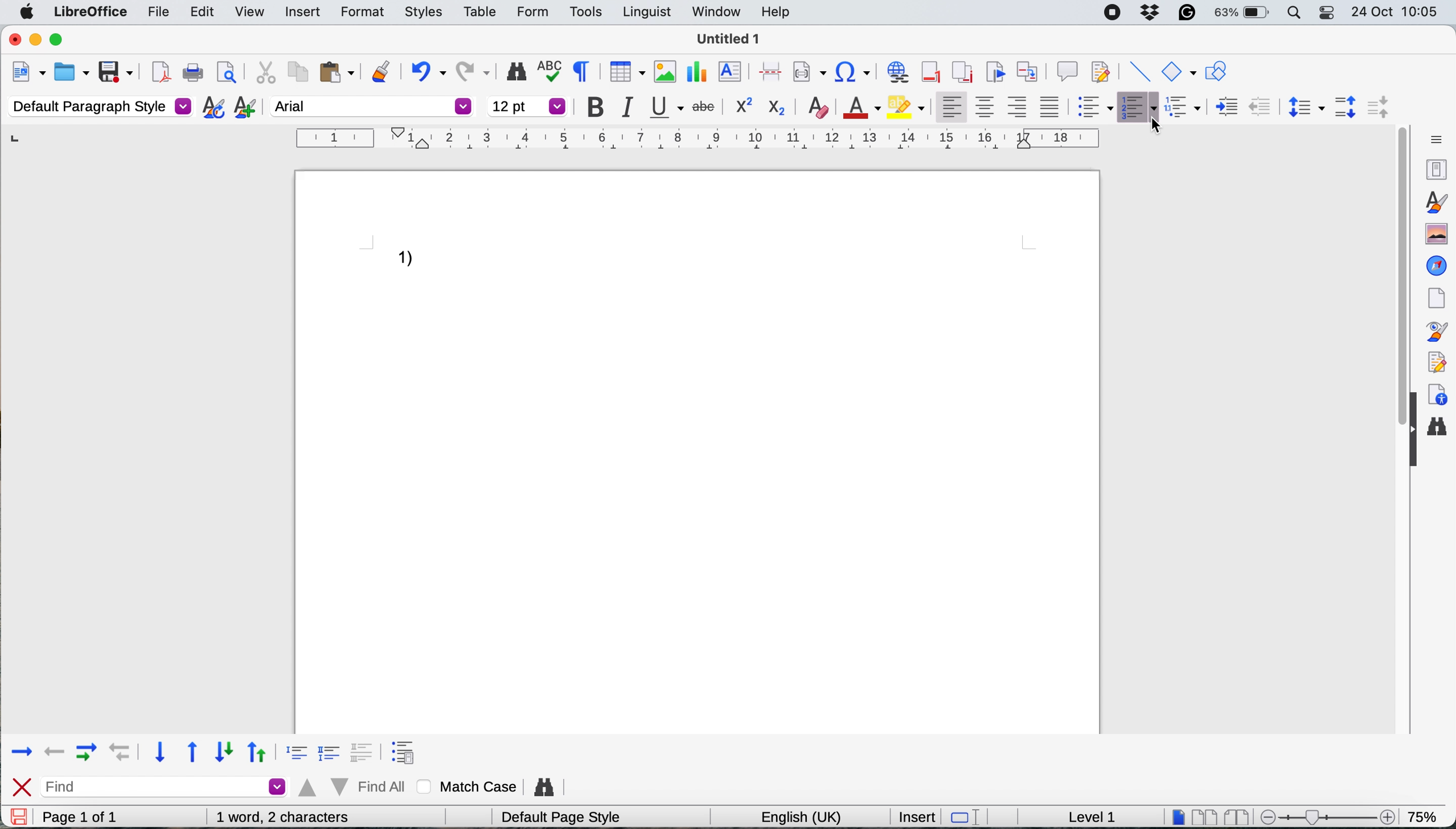 The image size is (1456, 829). I want to click on page 1 of 1, so click(98, 817).